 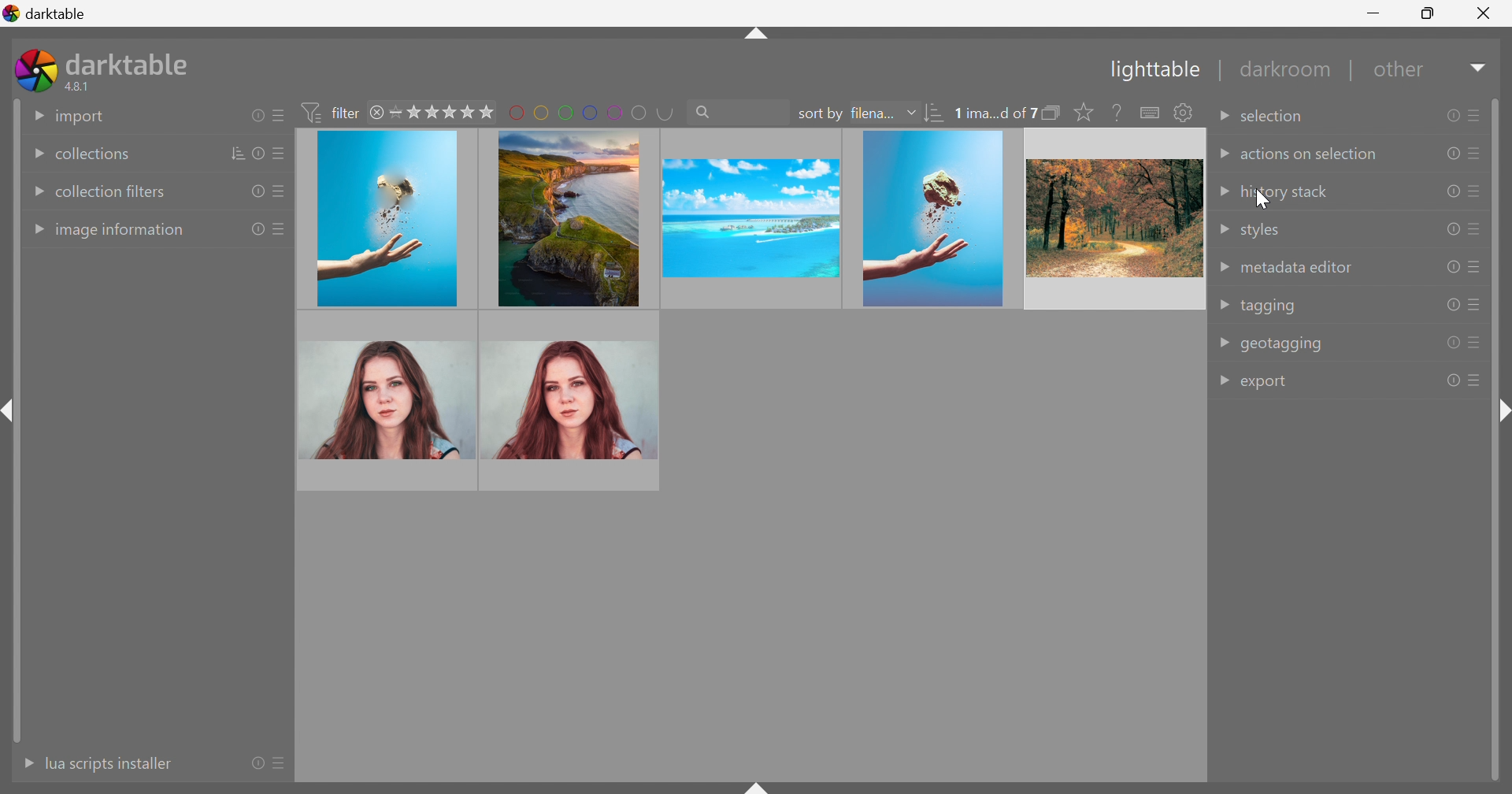 What do you see at coordinates (1222, 120) in the screenshot?
I see `Drop Down` at bounding box center [1222, 120].